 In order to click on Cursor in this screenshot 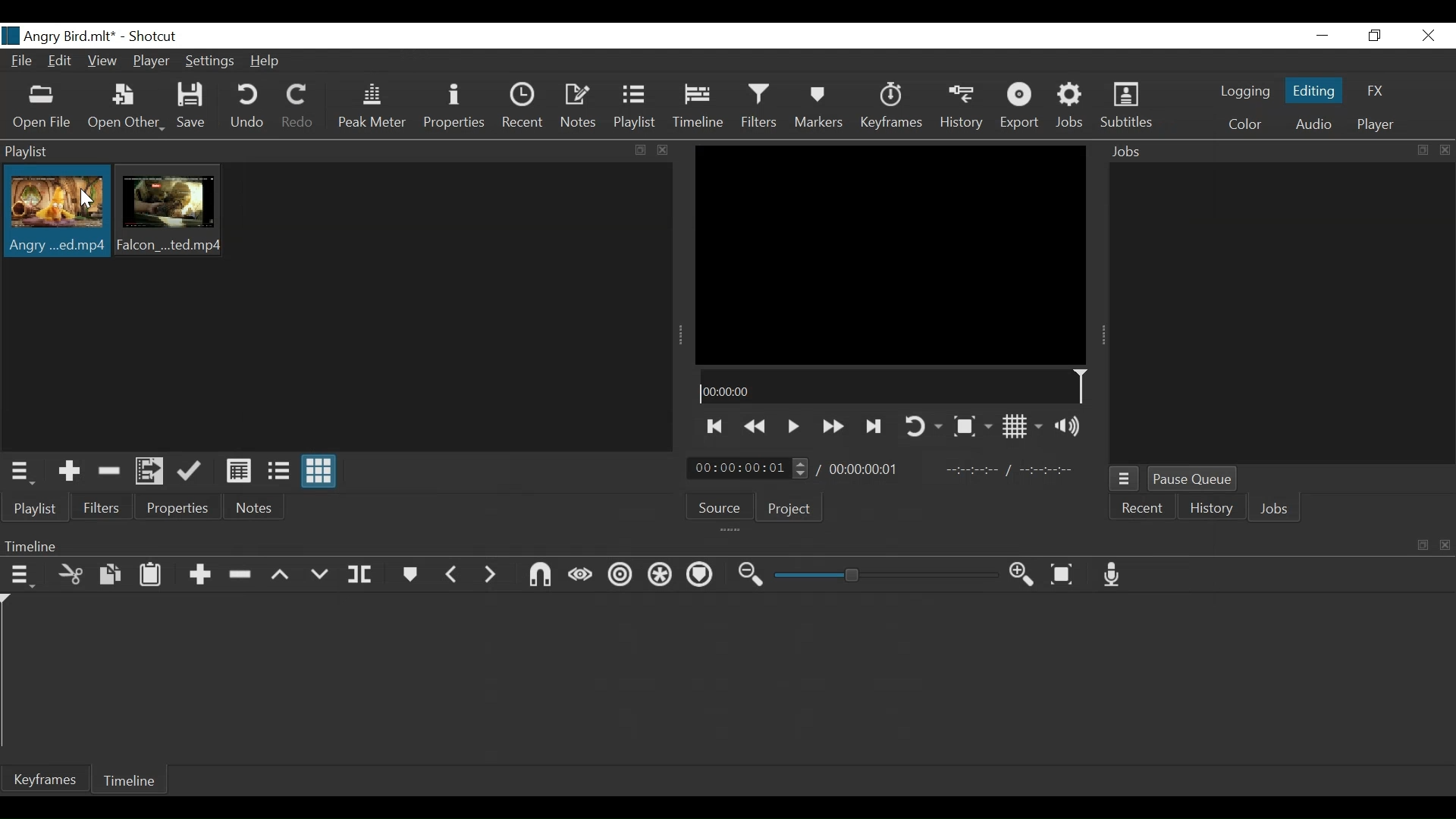, I will do `click(87, 202)`.